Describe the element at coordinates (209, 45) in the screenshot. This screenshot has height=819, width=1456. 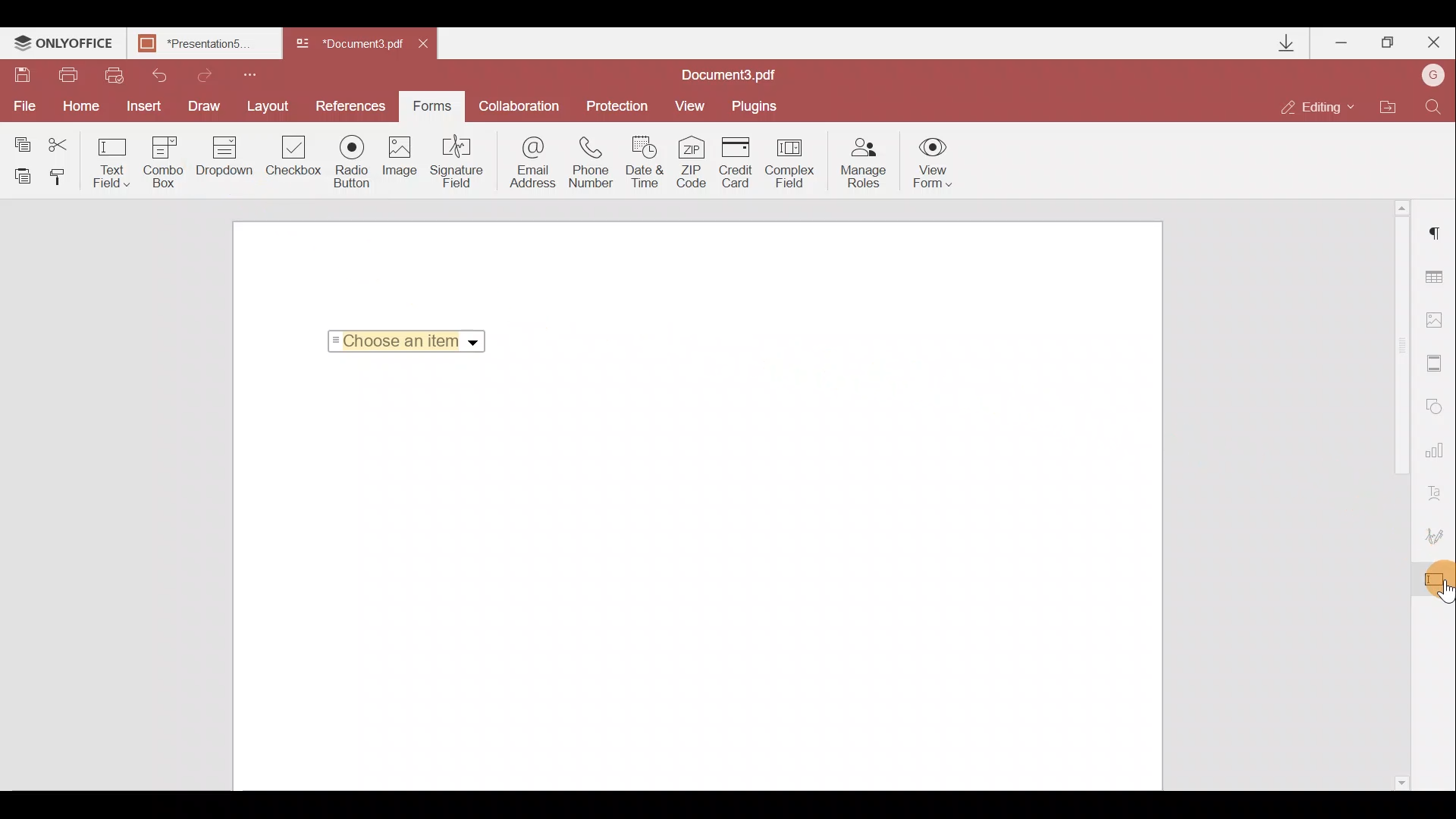
I see `Document name` at that location.